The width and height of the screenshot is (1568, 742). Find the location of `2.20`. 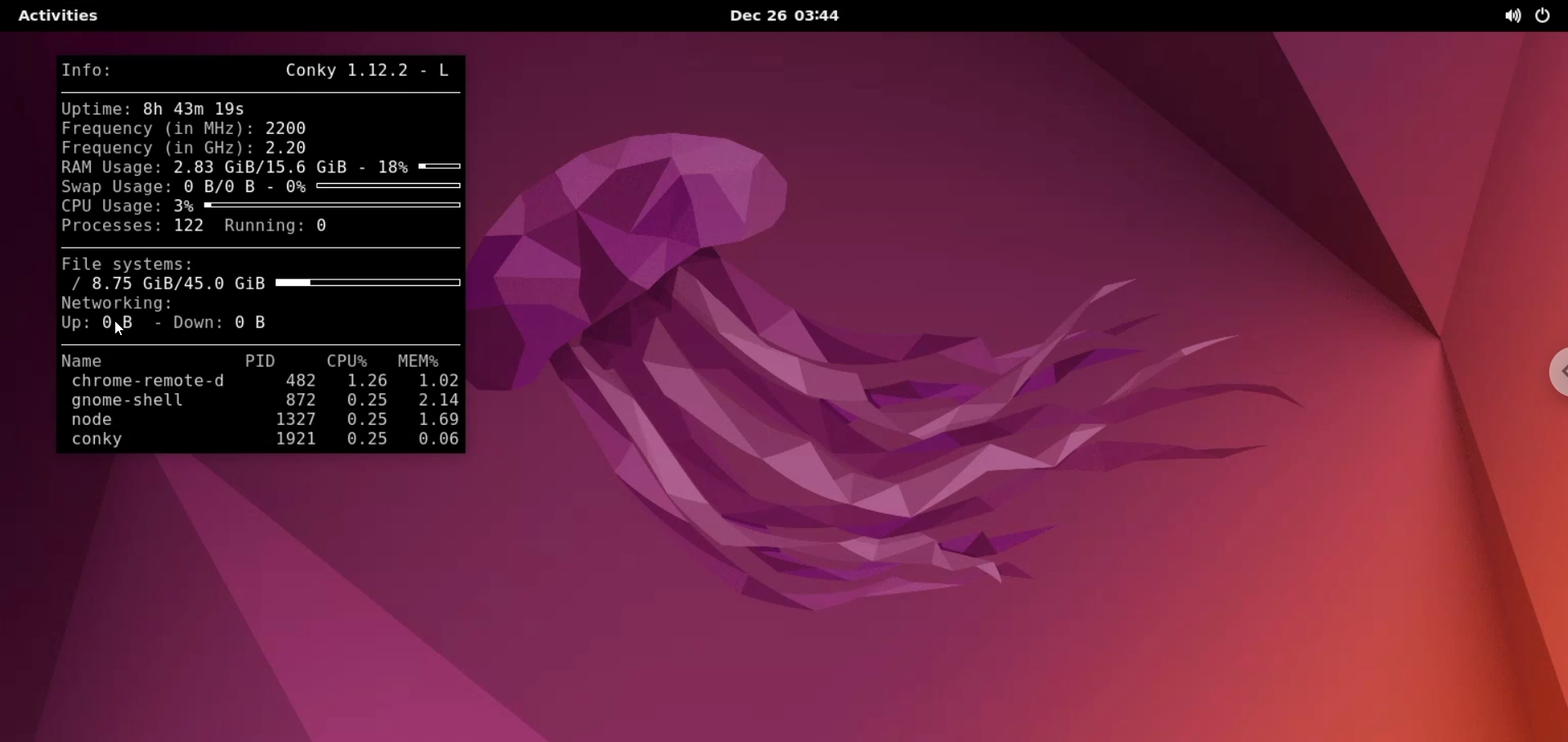

2.20 is located at coordinates (287, 147).